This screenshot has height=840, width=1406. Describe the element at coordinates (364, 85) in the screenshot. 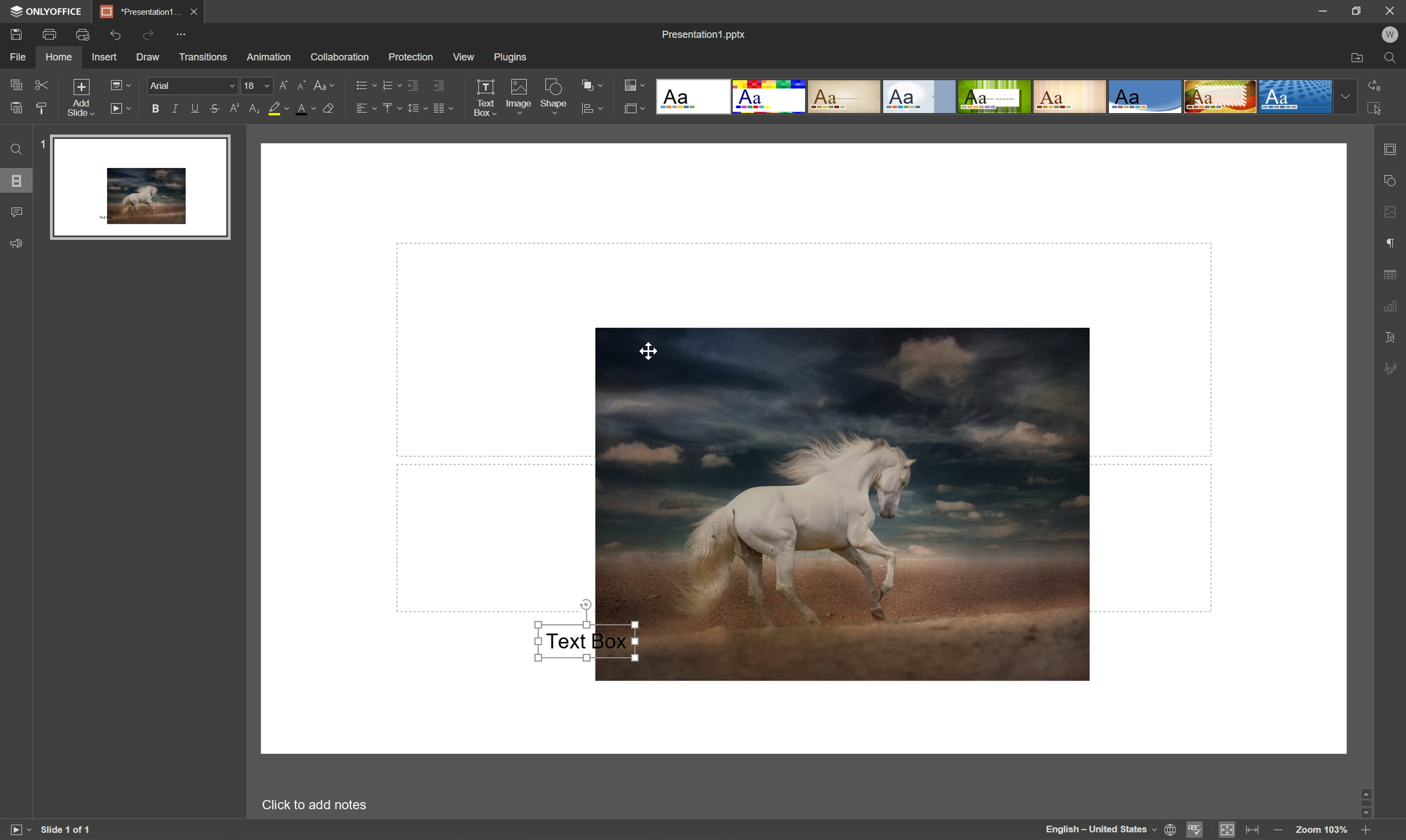

I see `Bullets` at that location.